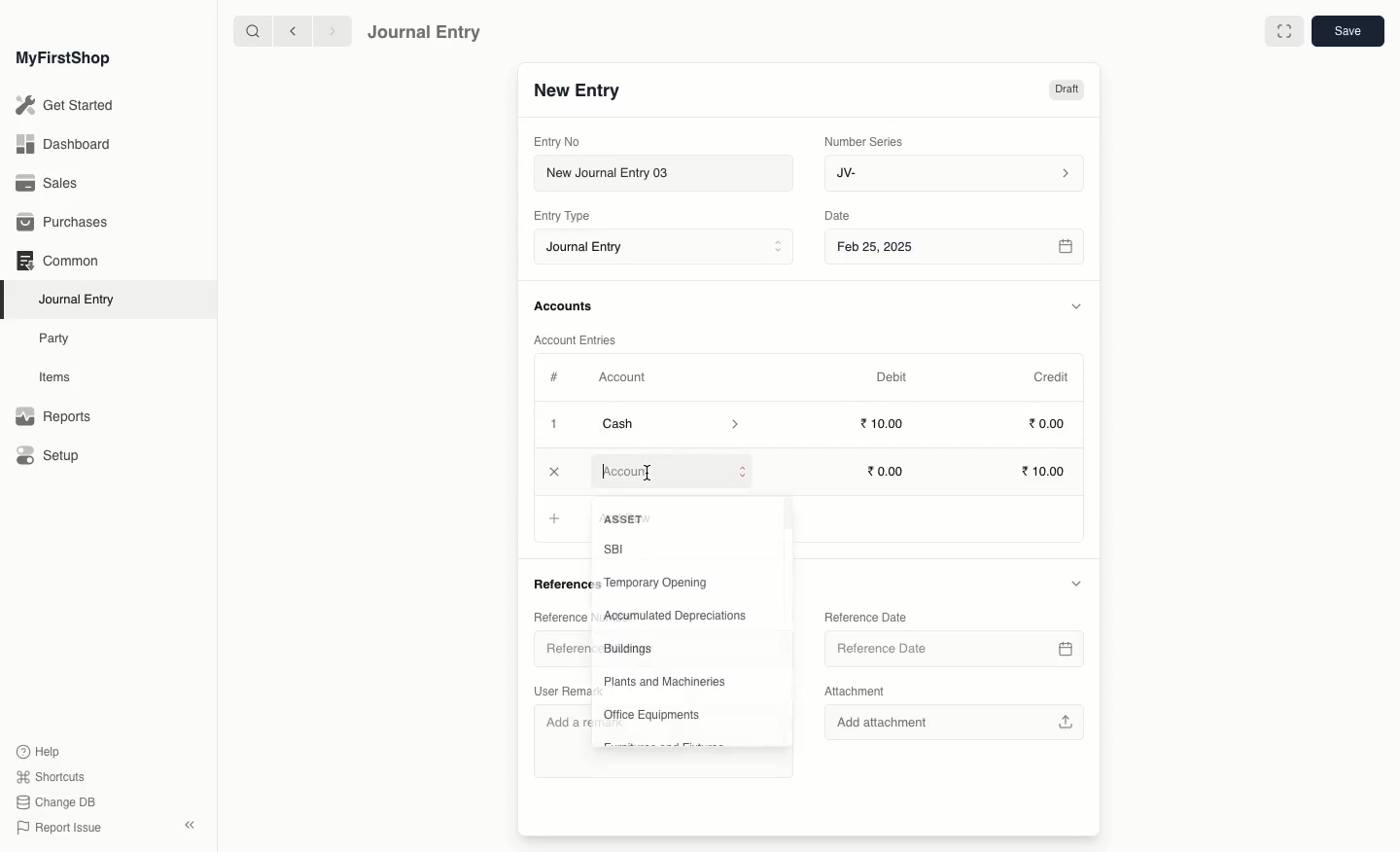 The height and width of the screenshot is (852, 1400). I want to click on Close, so click(559, 474).